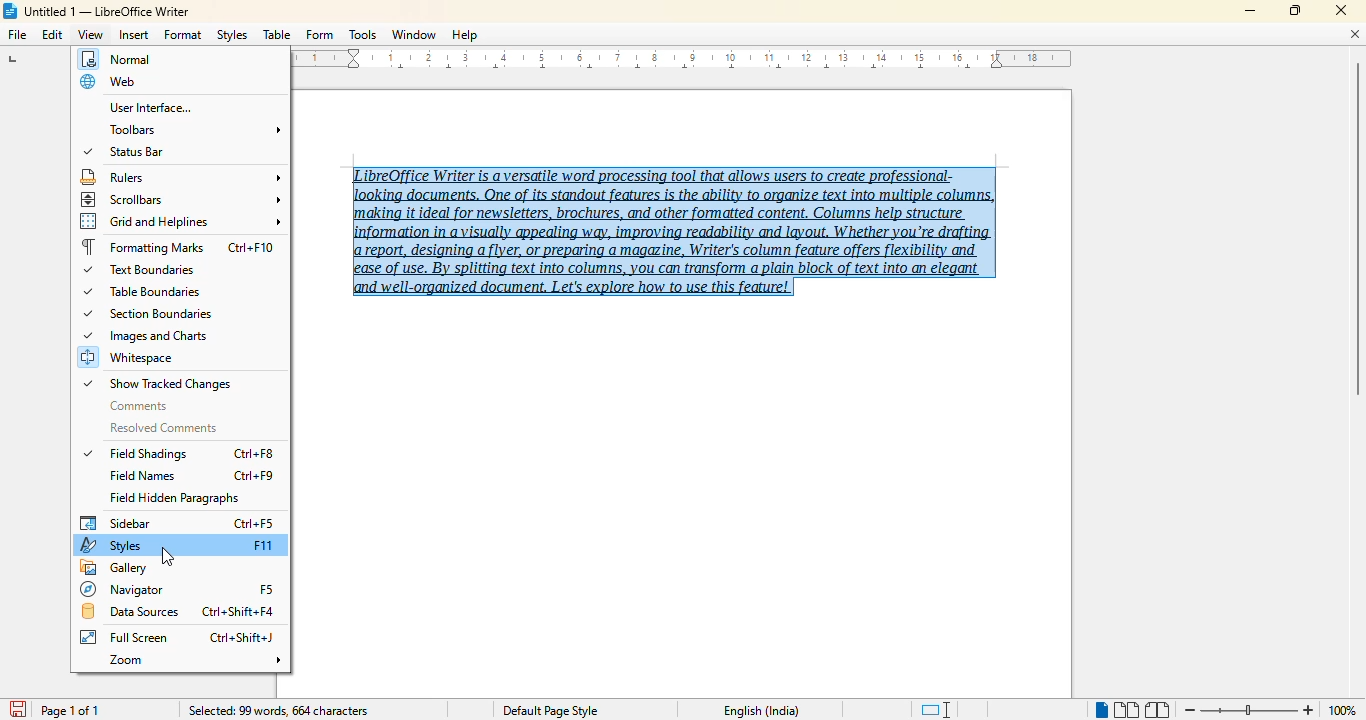 This screenshot has height=720, width=1366. I want to click on section boundaries, so click(150, 313).